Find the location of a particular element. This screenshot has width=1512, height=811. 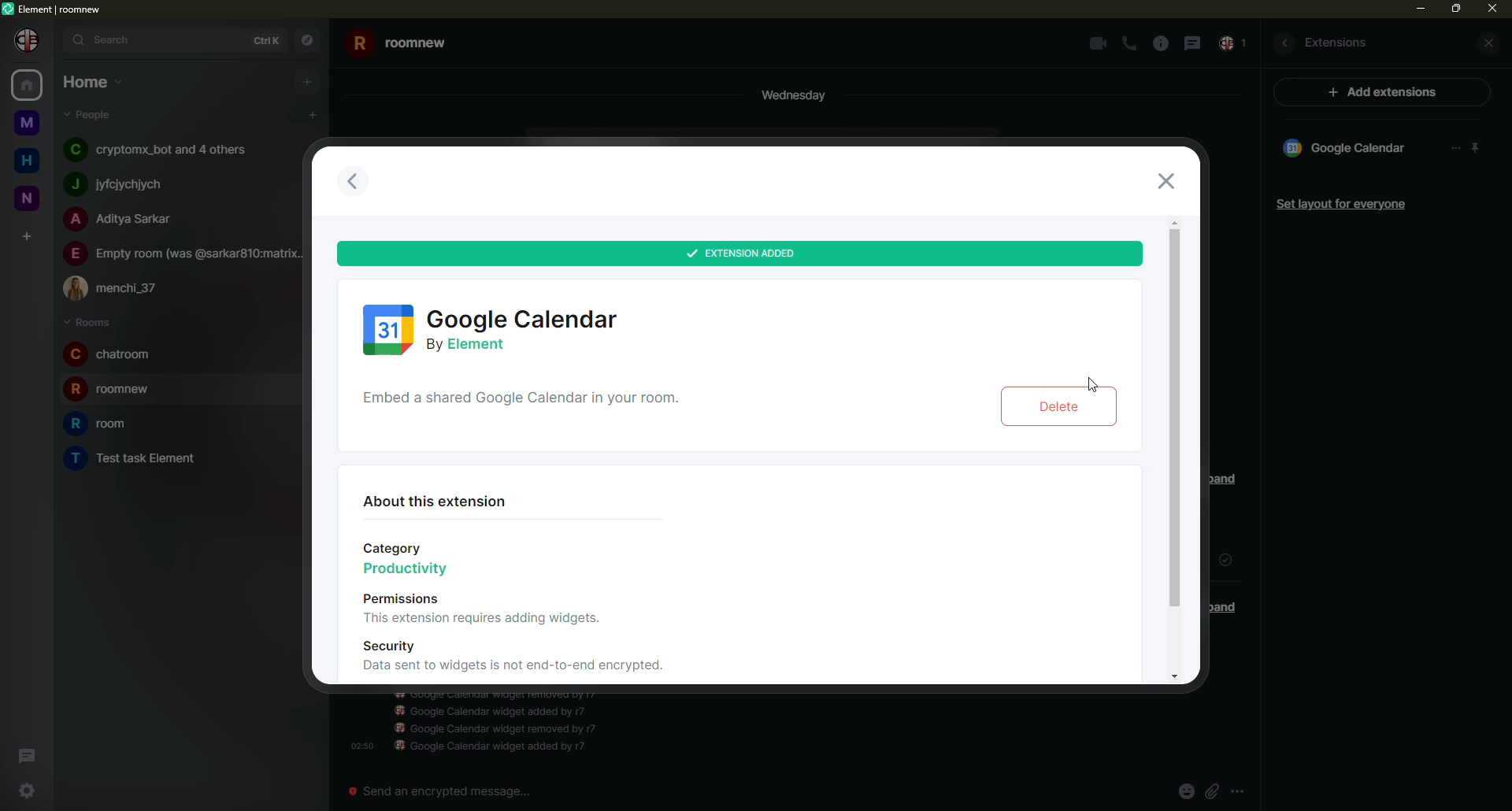

vertical scrollbar is located at coordinates (1503, 428).